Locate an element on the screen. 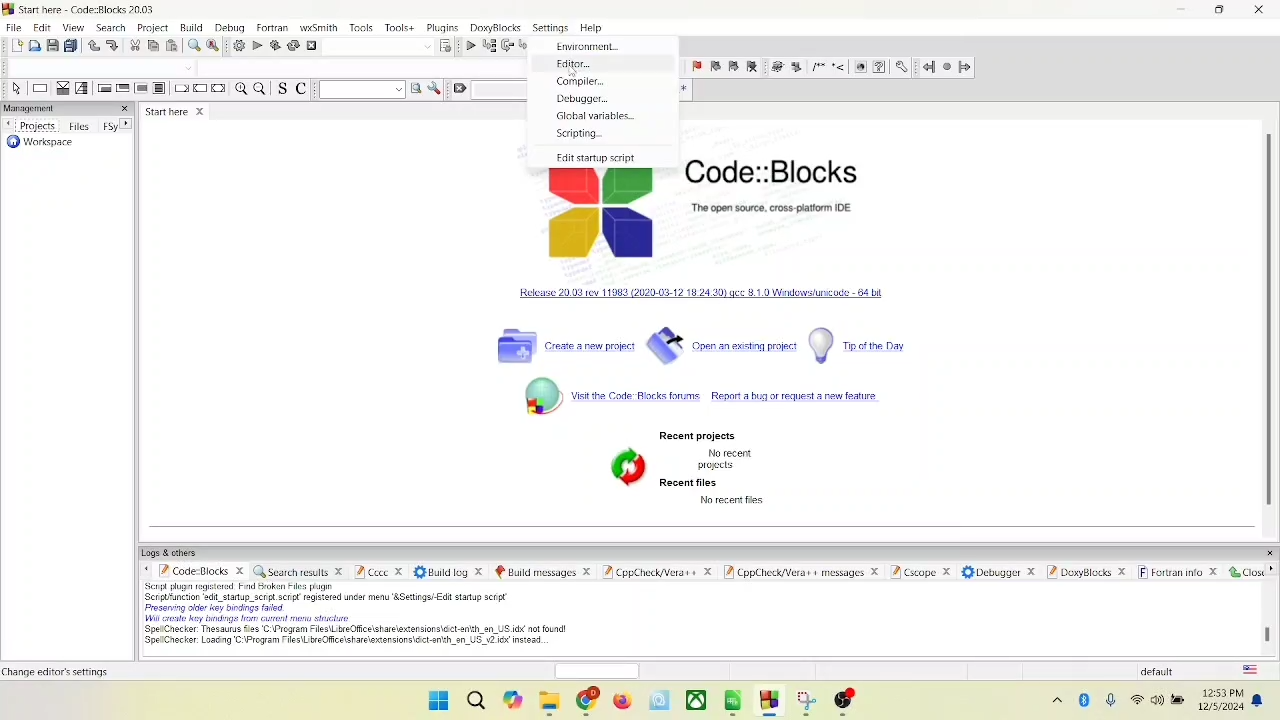  run to cursor is located at coordinates (486, 46).